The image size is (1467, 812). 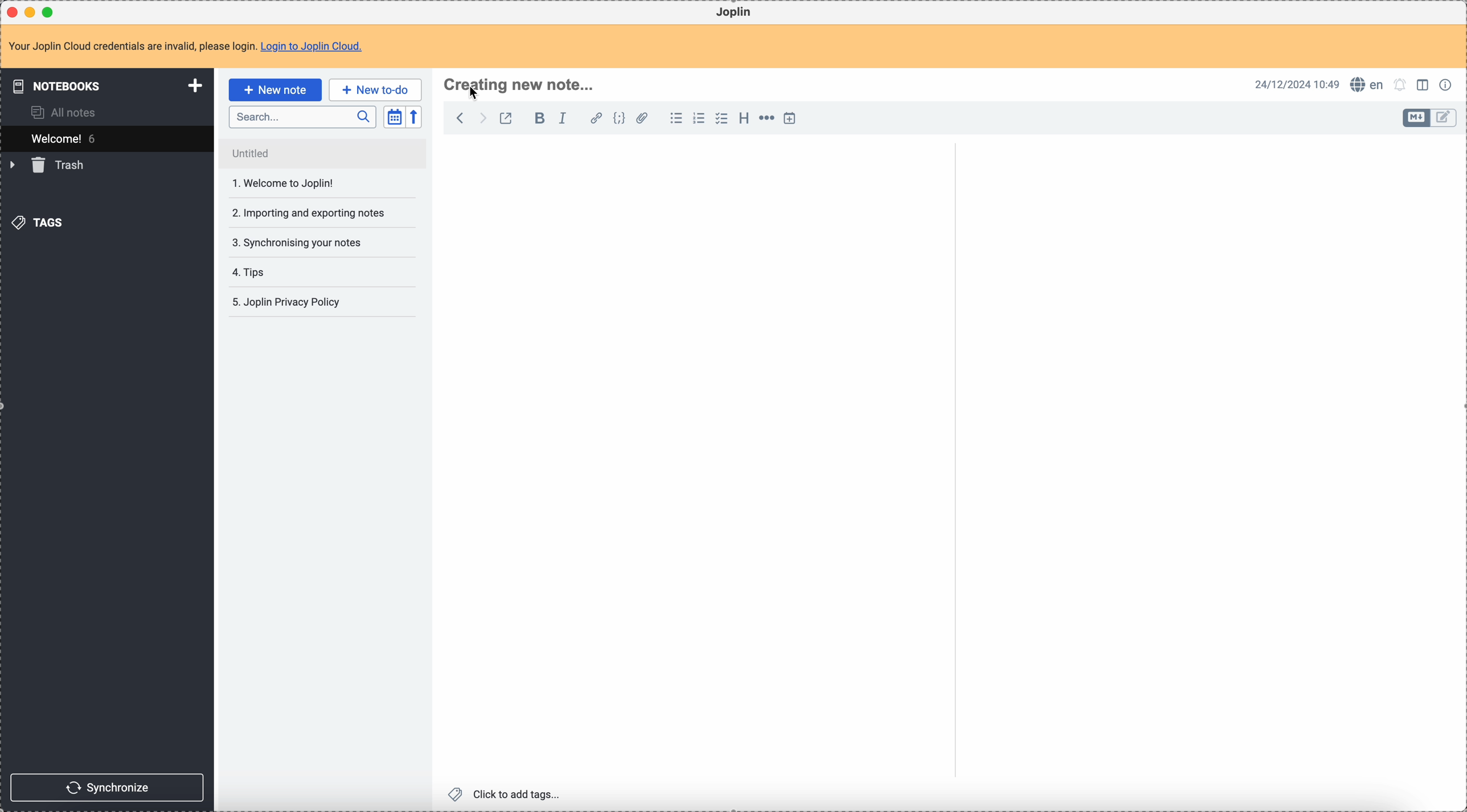 What do you see at coordinates (11, 12) in the screenshot?
I see `close Joplin` at bounding box center [11, 12].